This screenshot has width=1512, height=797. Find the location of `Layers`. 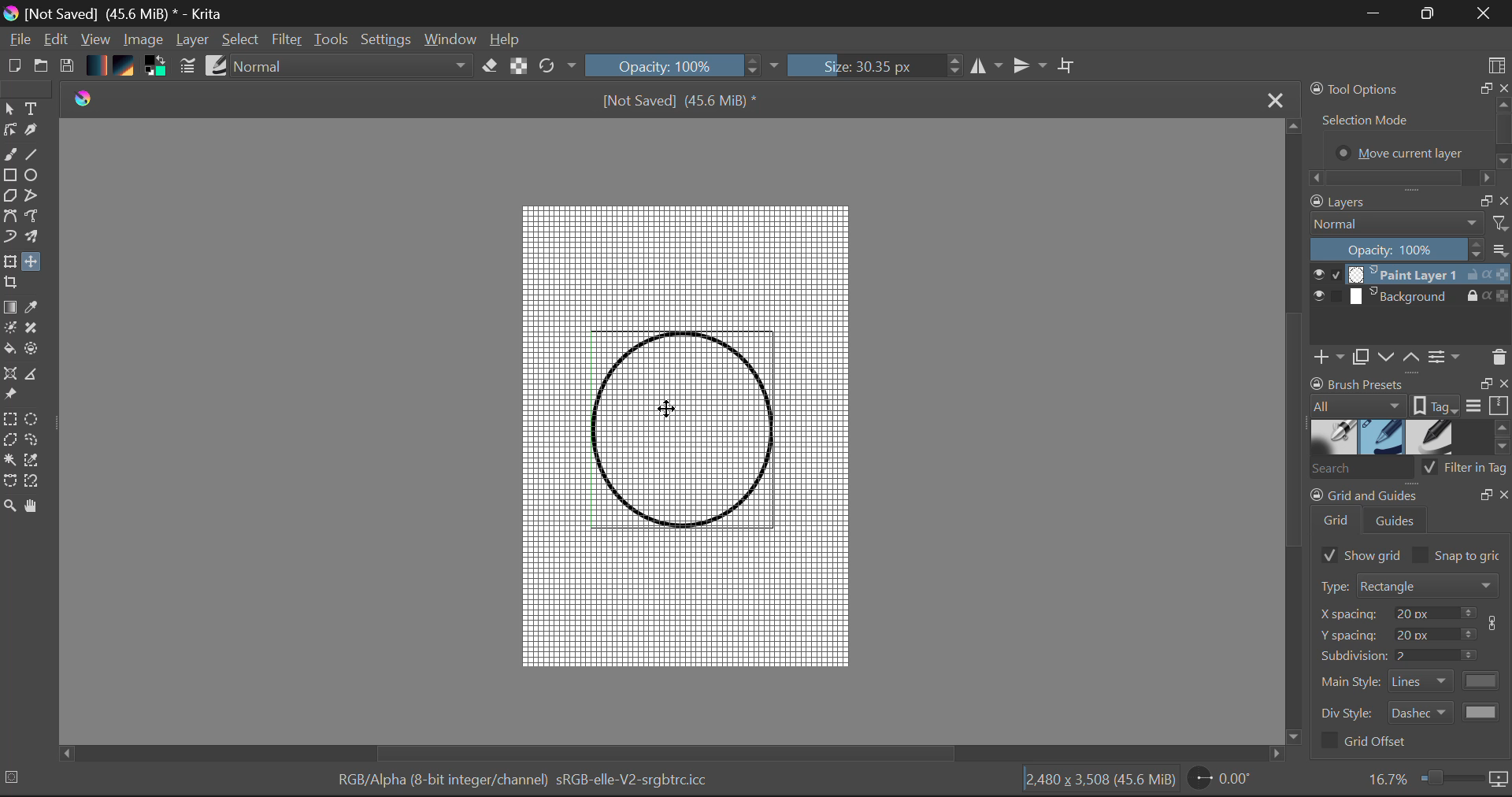

Layers is located at coordinates (1411, 287).